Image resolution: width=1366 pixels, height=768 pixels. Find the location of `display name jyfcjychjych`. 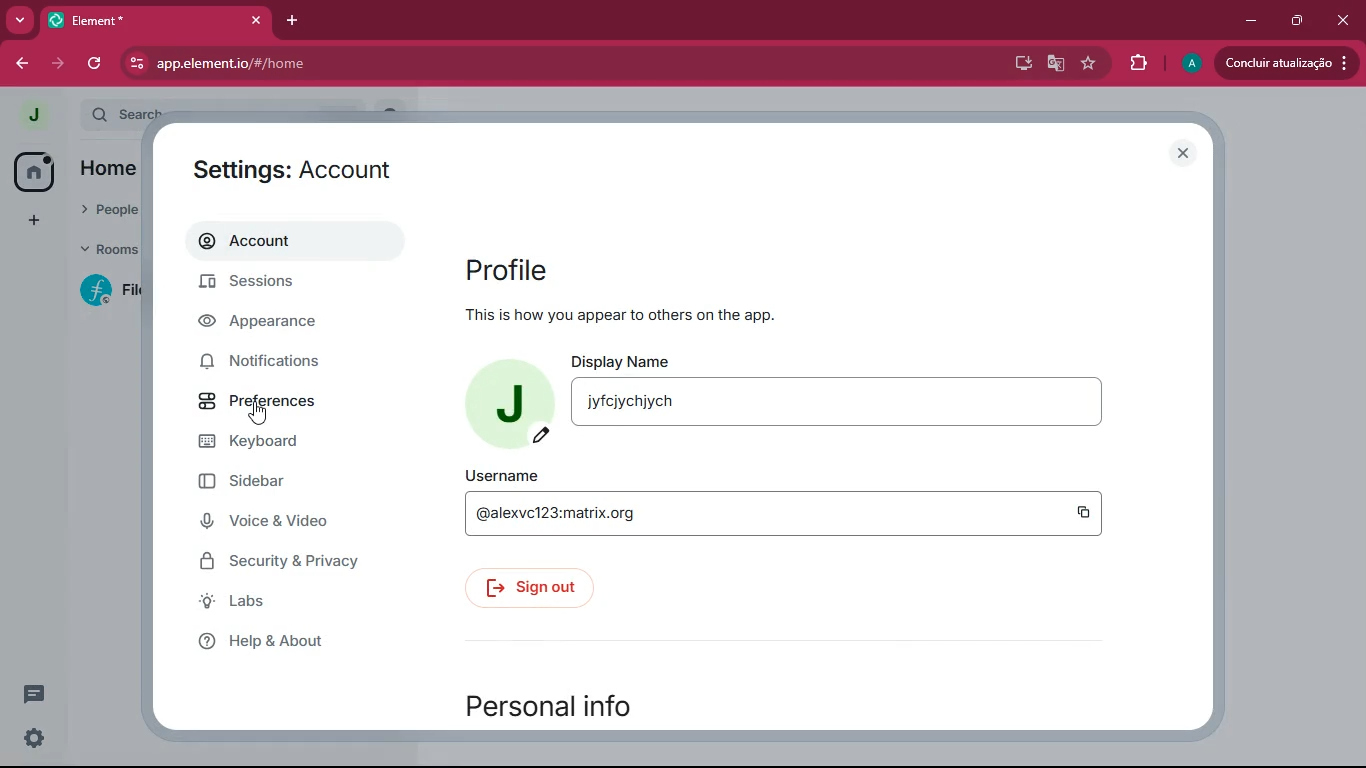

display name jyfcjychjych is located at coordinates (857, 395).